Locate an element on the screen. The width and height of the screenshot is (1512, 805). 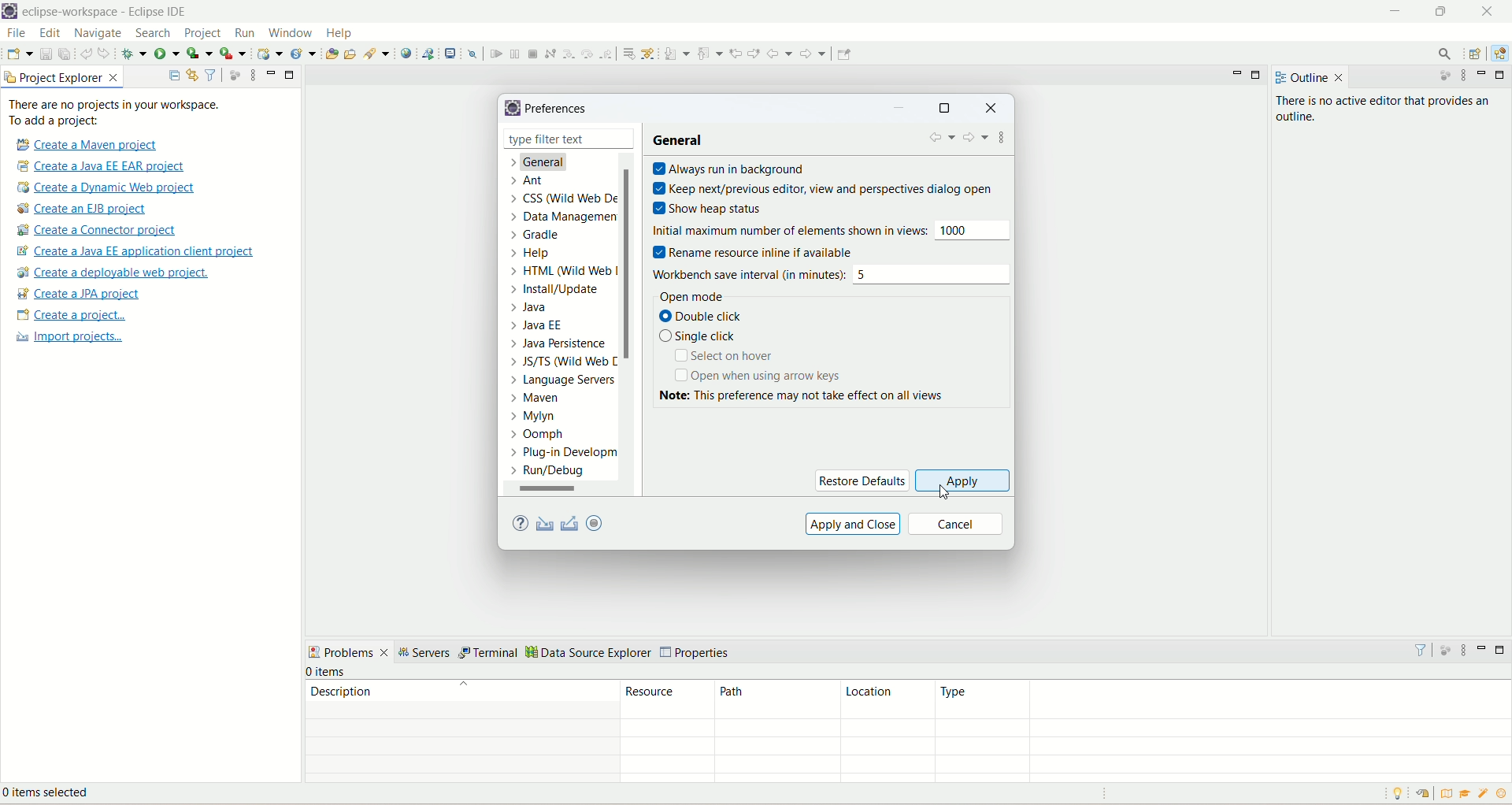
eclipse workspace-Eclipse IDE is located at coordinates (109, 12).